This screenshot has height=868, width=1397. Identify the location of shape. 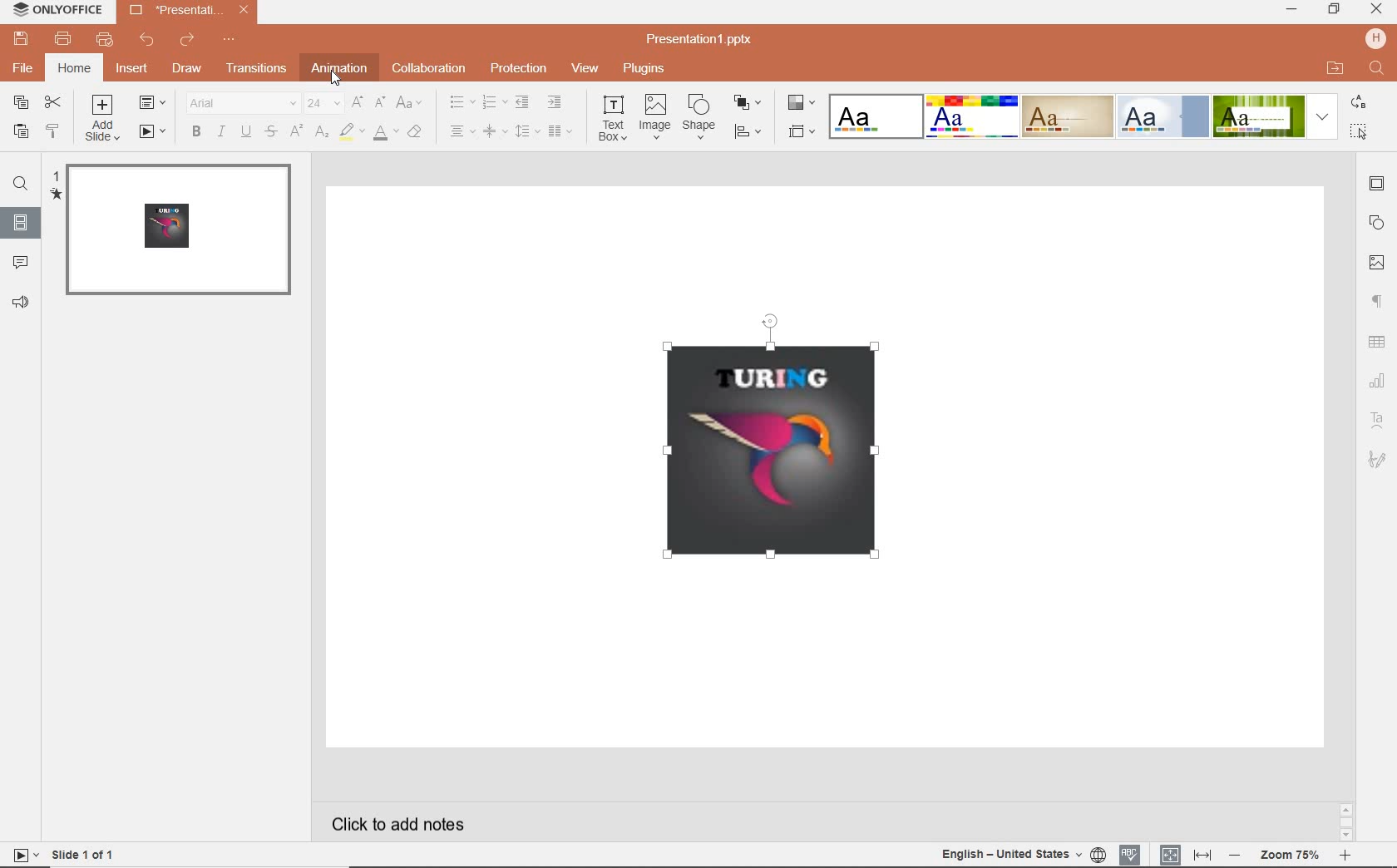
(699, 116).